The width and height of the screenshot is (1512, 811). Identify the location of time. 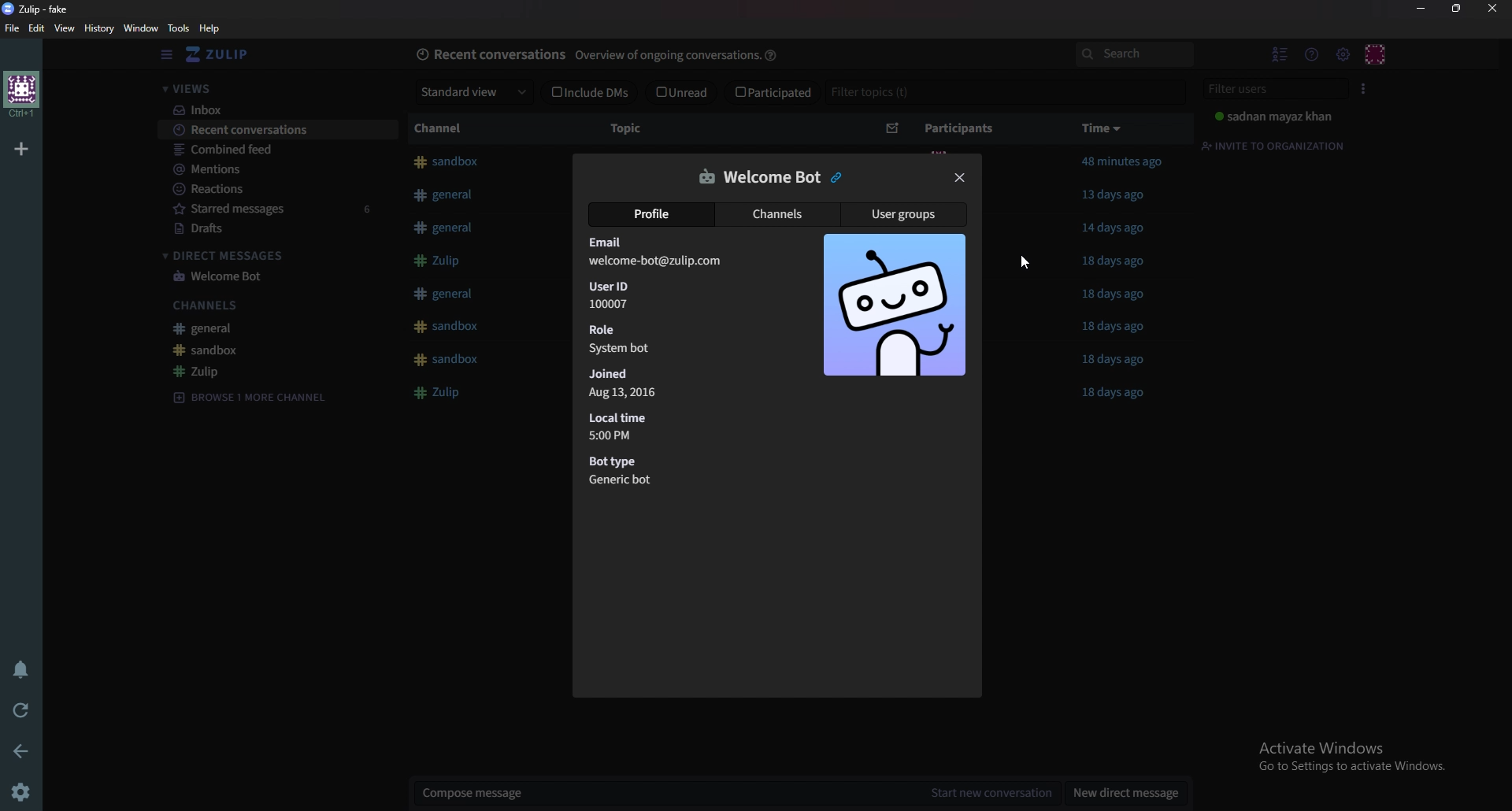
(1102, 130).